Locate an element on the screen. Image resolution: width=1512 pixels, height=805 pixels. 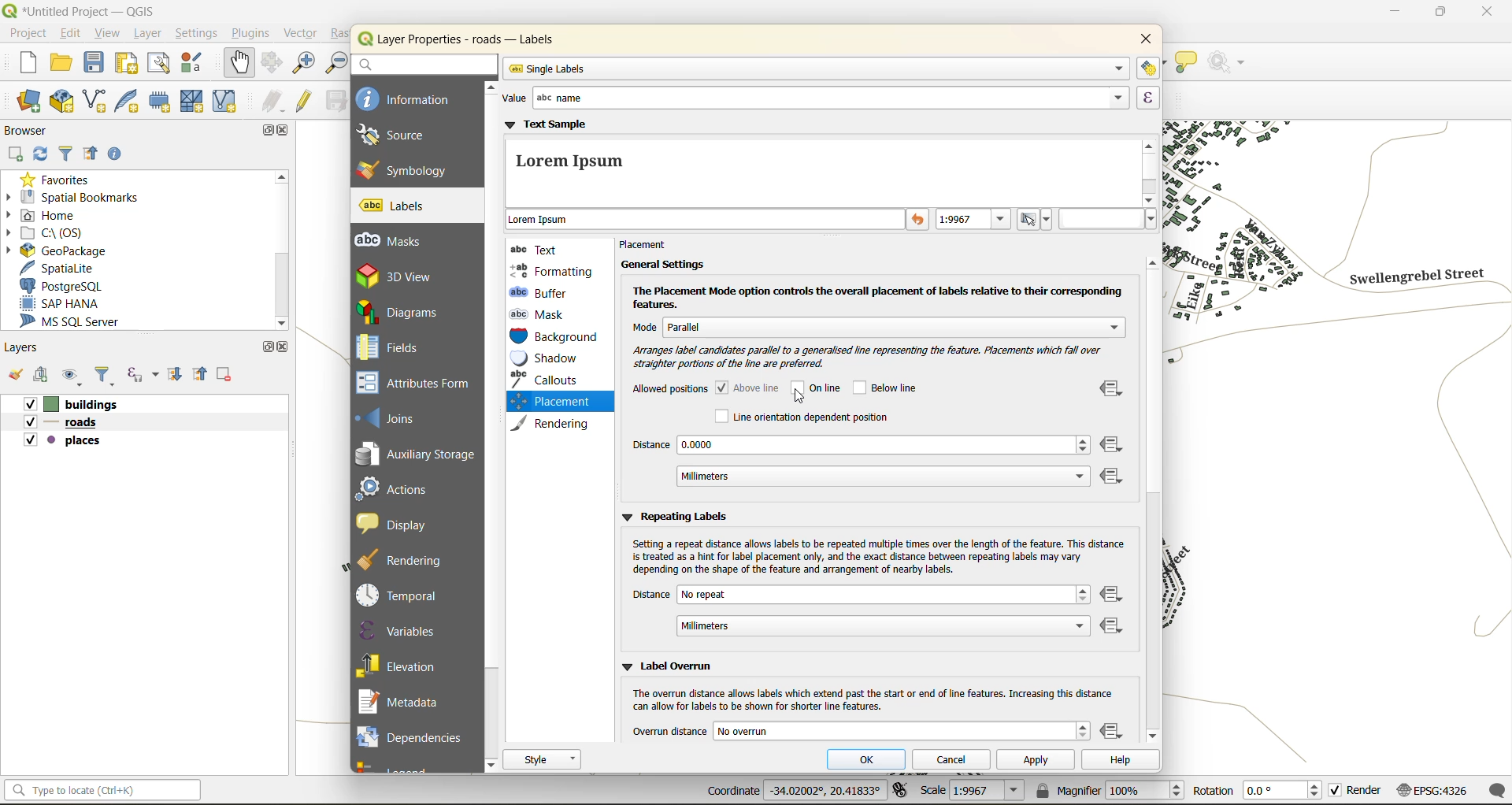
add is located at coordinates (17, 154).